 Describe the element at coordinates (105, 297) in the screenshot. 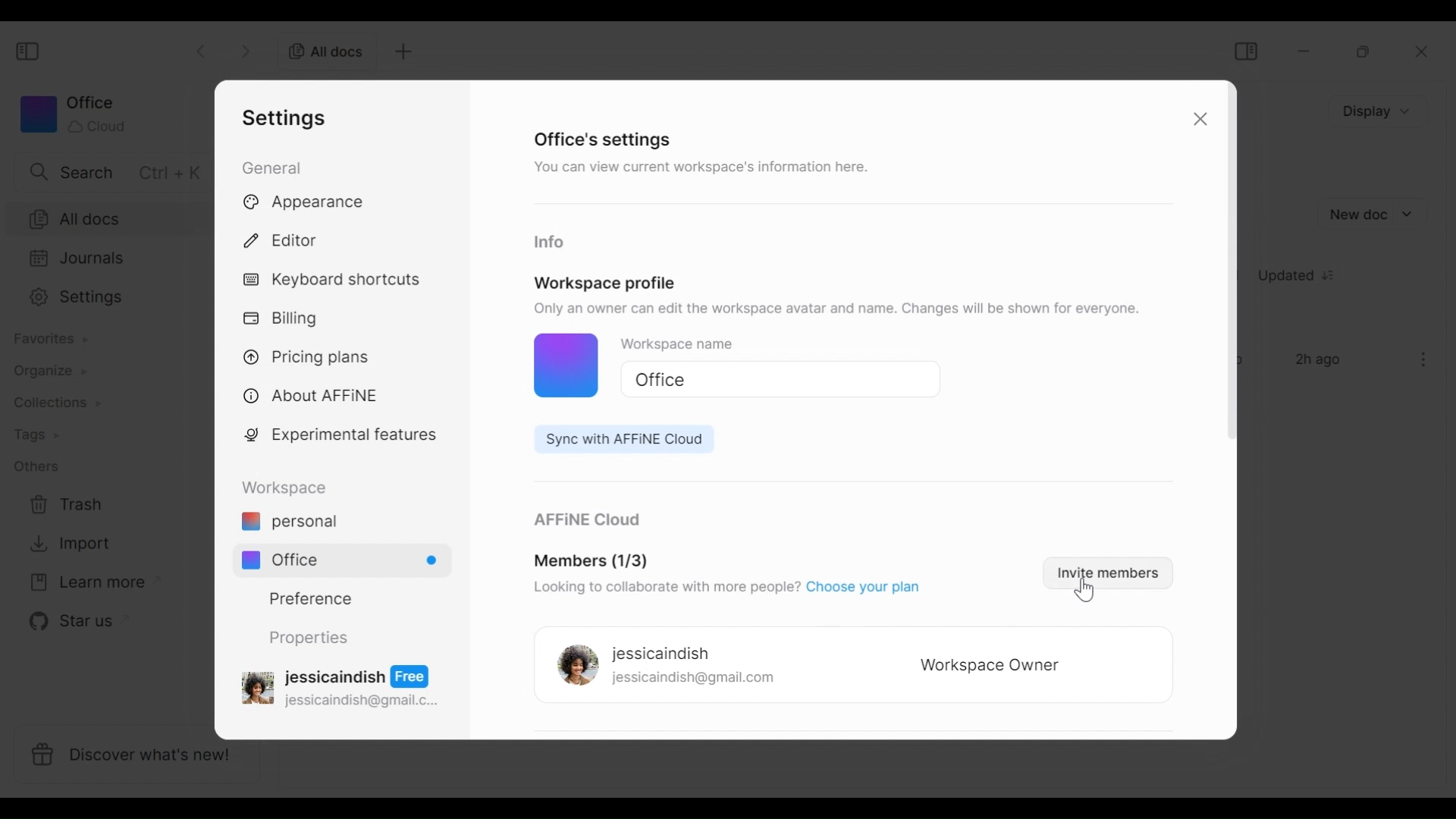

I see `Settings` at that location.